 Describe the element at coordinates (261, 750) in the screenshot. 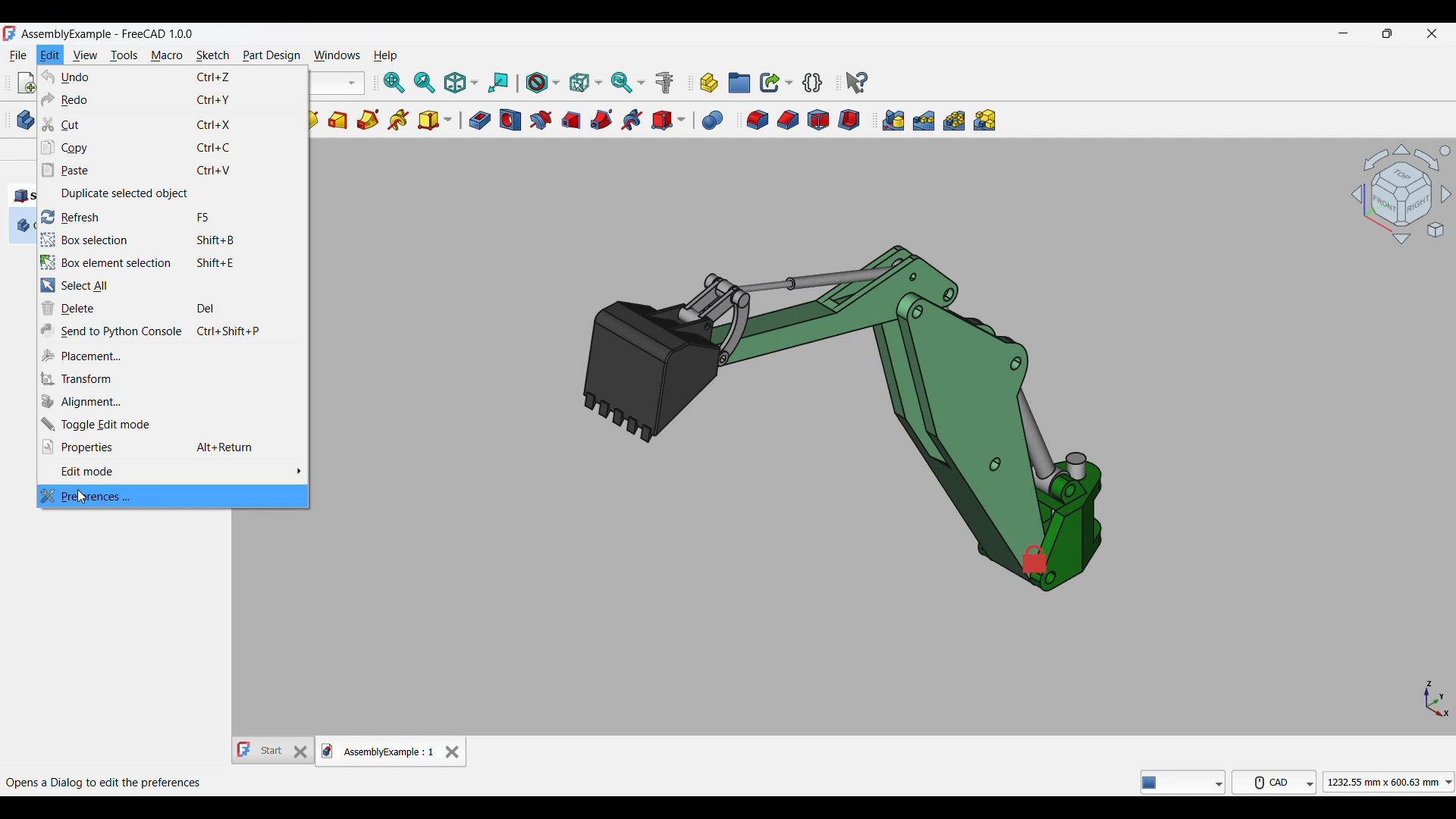

I see `Start - name of other tab` at that location.